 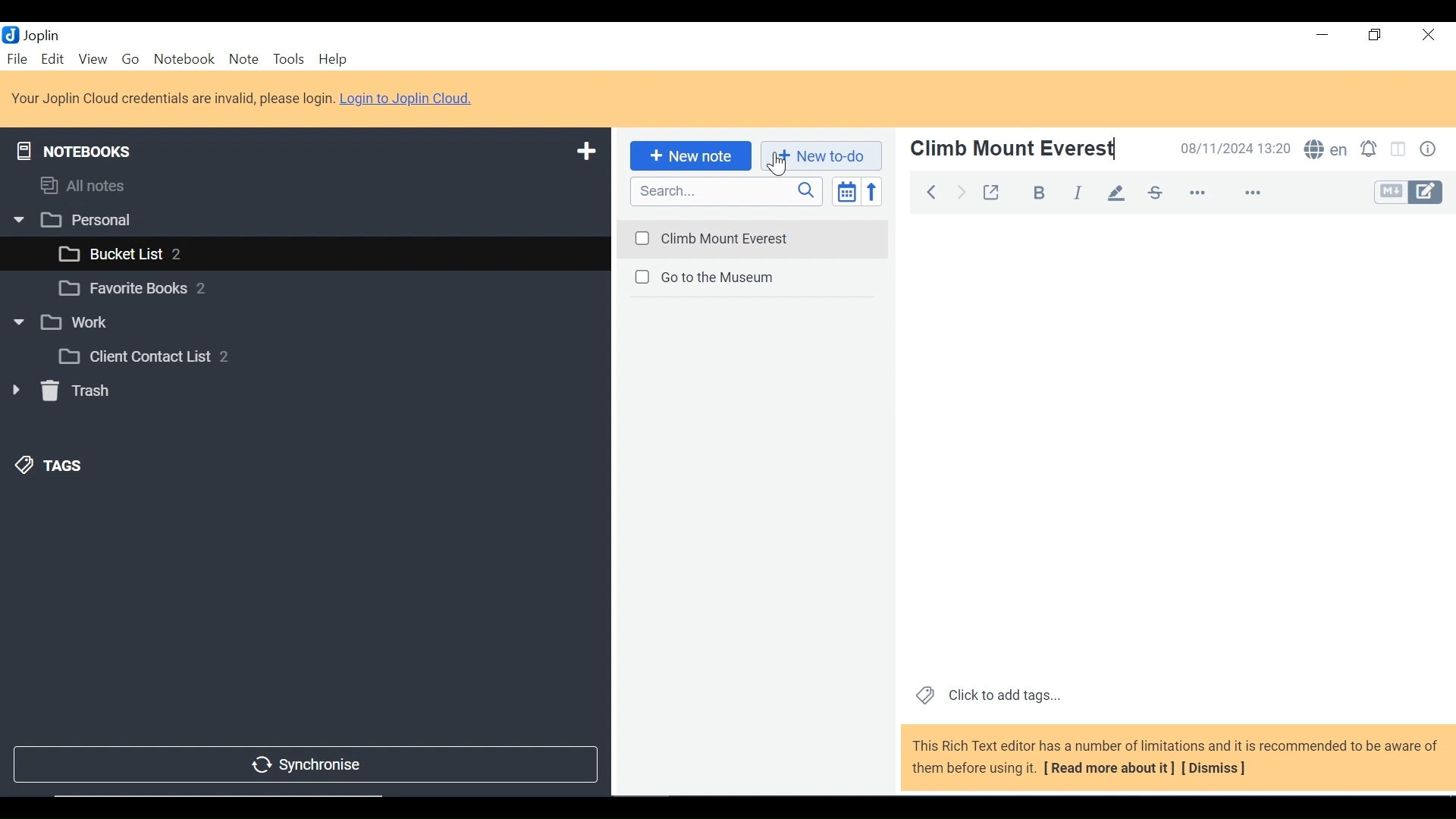 What do you see at coordinates (821, 156) in the screenshot?
I see `Add New to-do` at bounding box center [821, 156].